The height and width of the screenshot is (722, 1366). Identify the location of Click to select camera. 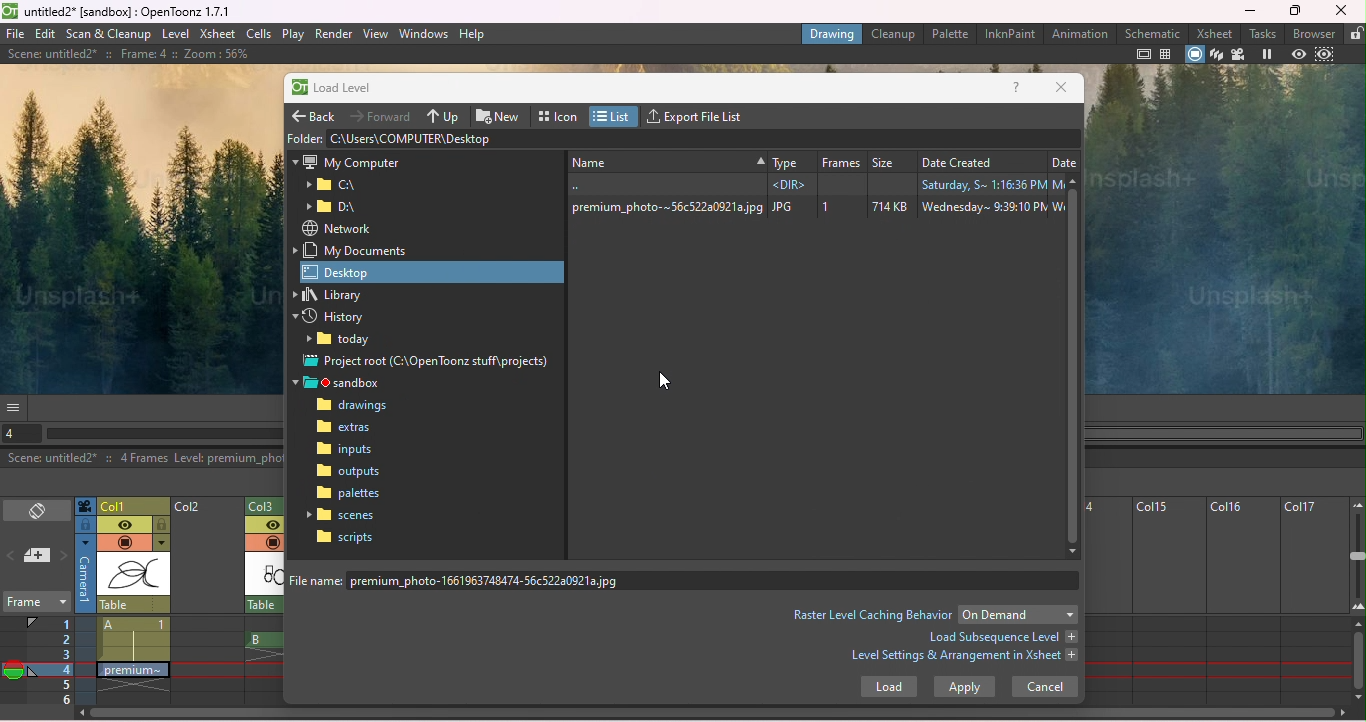
(85, 506).